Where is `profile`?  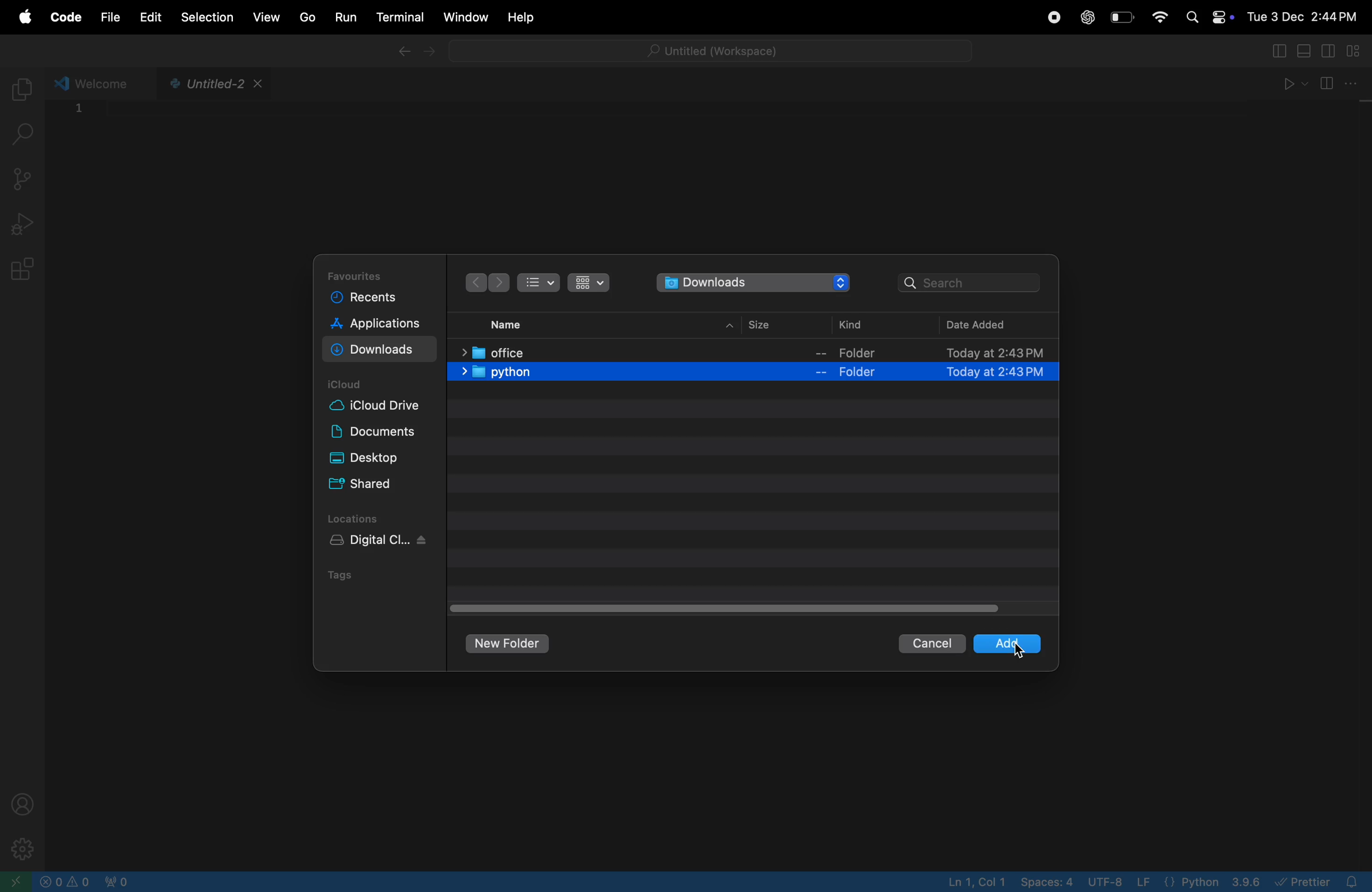 profile is located at coordinates (23, 802).